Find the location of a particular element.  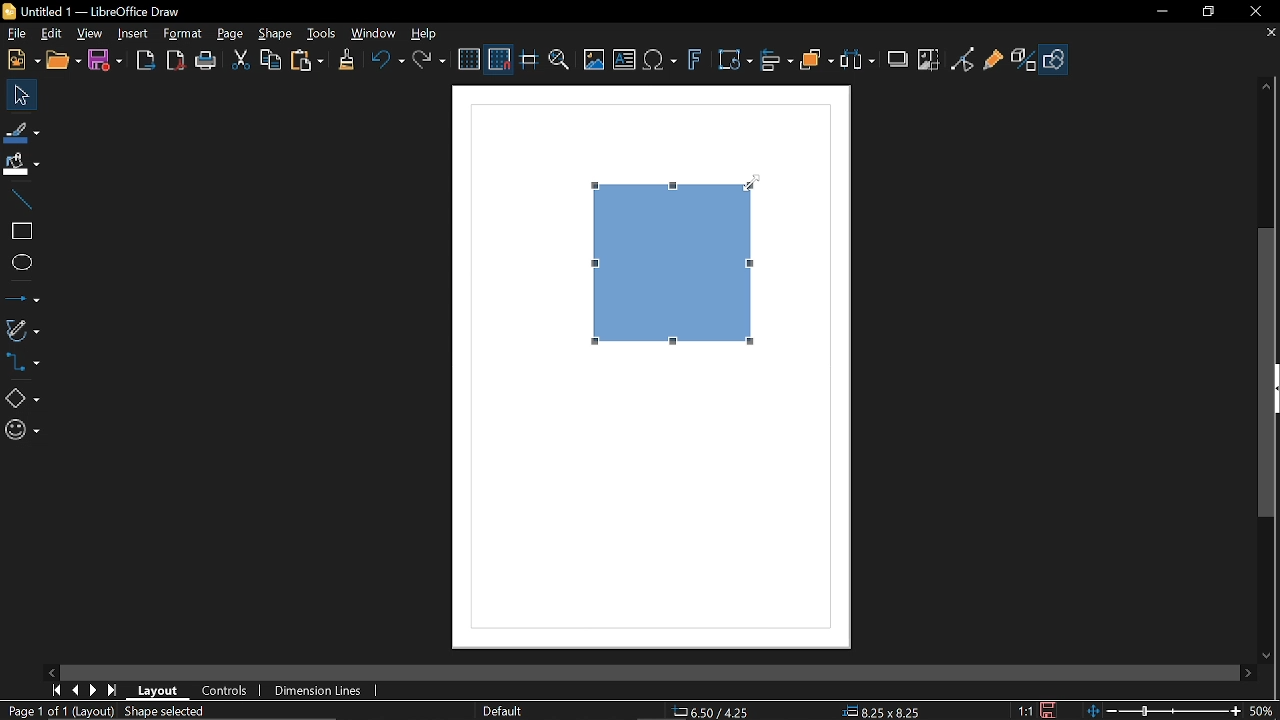

Move right is located at coordinates (1248, 672).